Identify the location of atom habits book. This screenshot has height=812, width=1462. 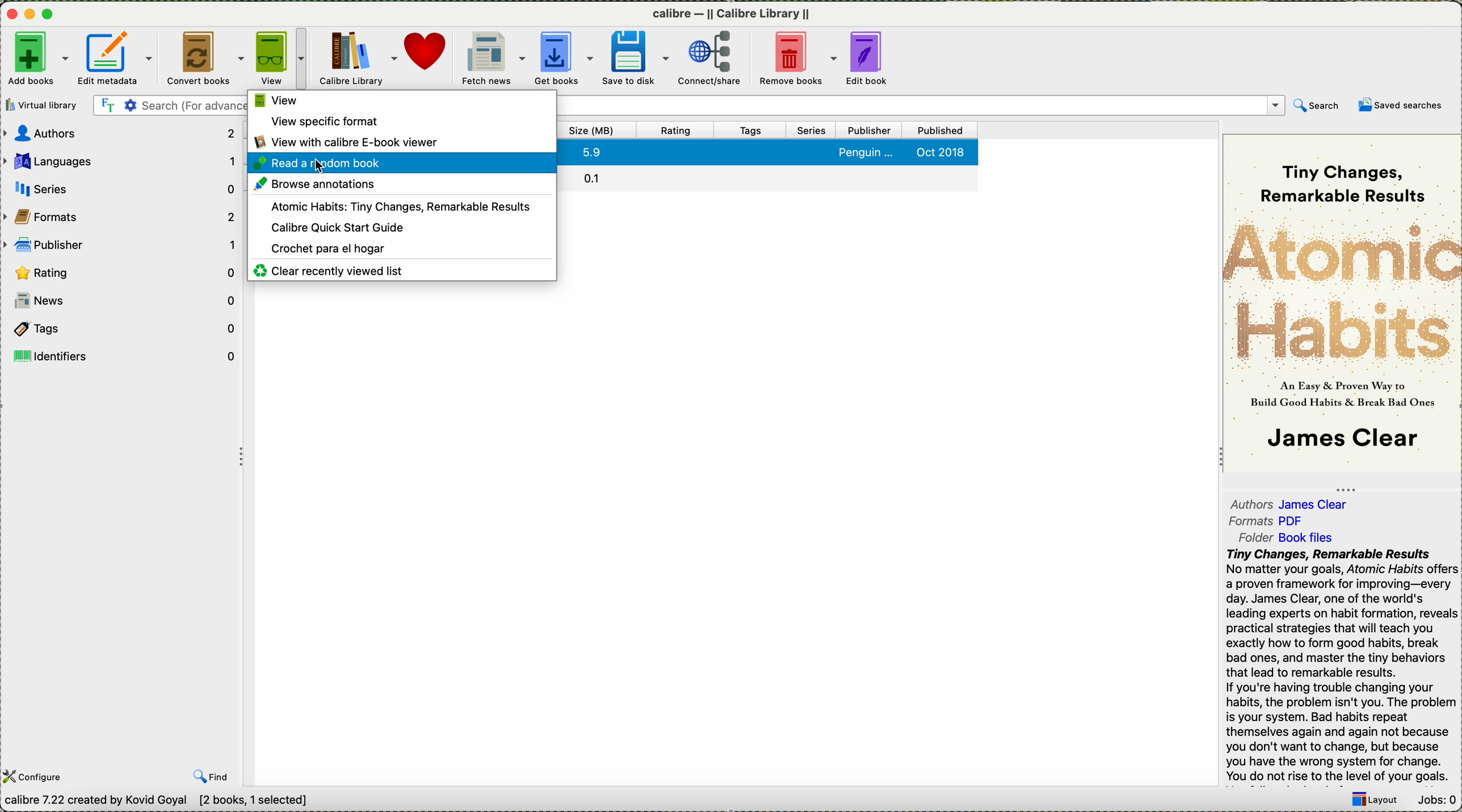
(394, 206).